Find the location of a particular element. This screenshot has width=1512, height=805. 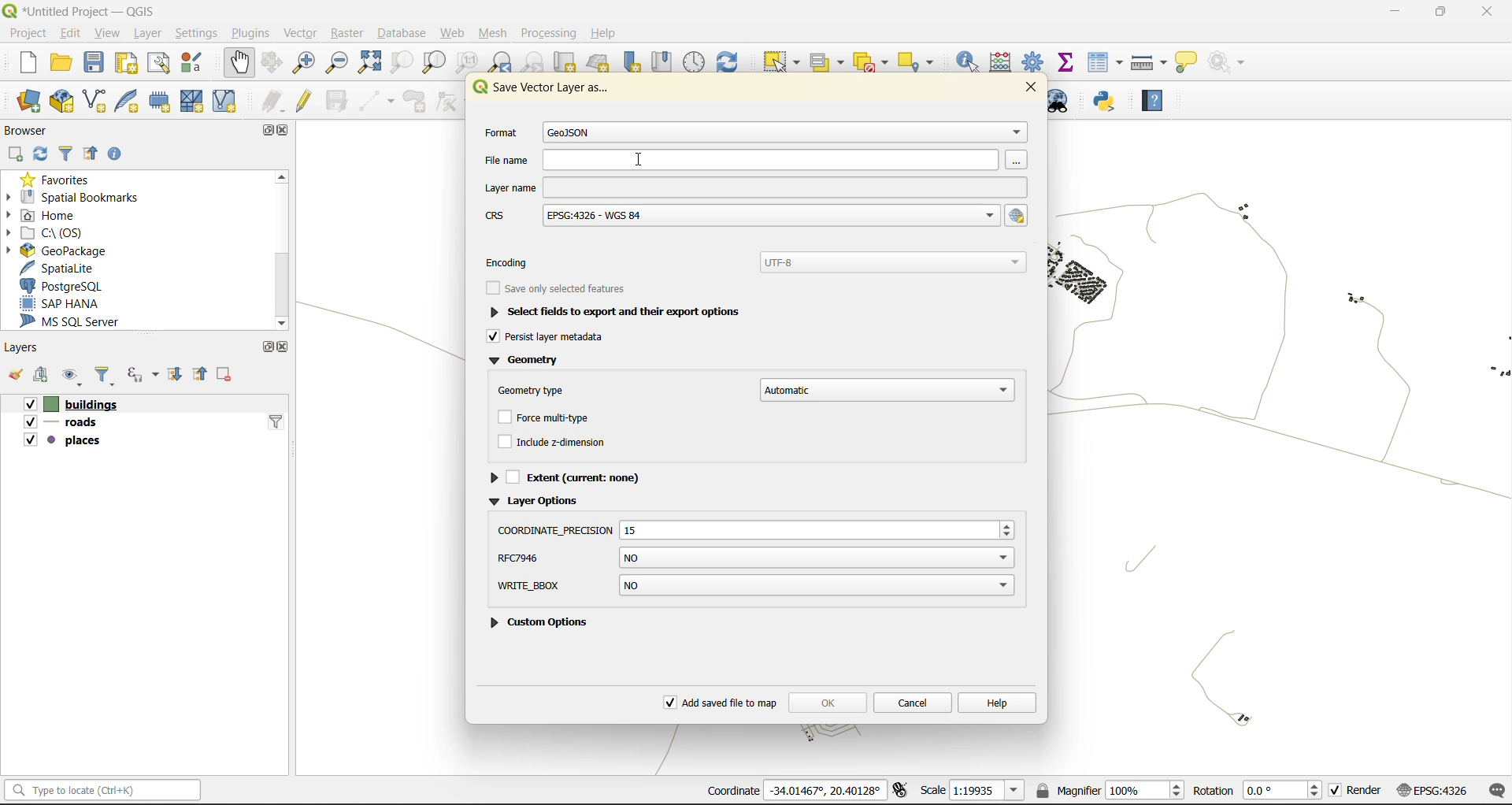

edits is located at coordinates (273, 99).